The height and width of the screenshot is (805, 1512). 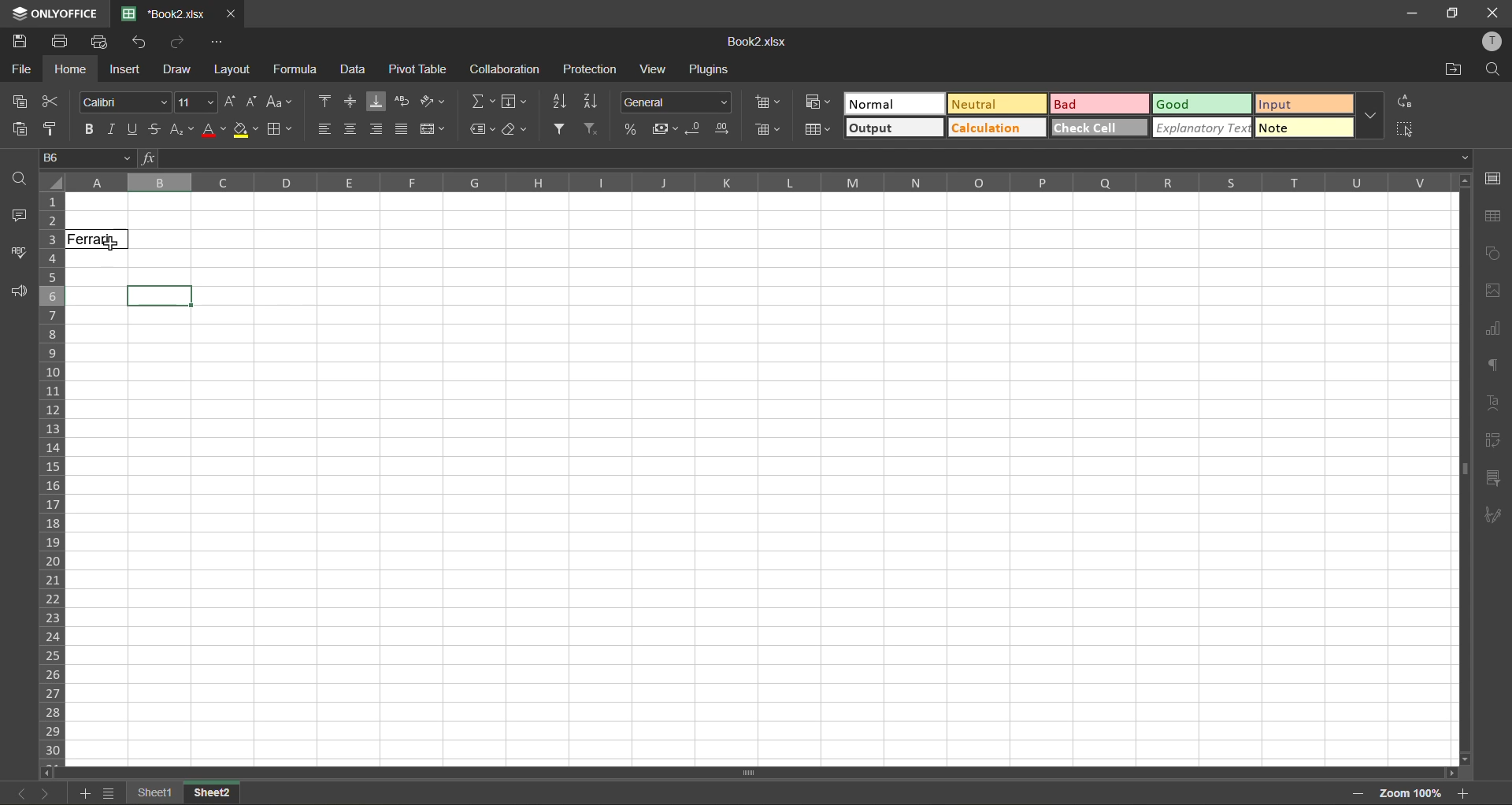 I want to click on Input area, so click(x=764, y=538).